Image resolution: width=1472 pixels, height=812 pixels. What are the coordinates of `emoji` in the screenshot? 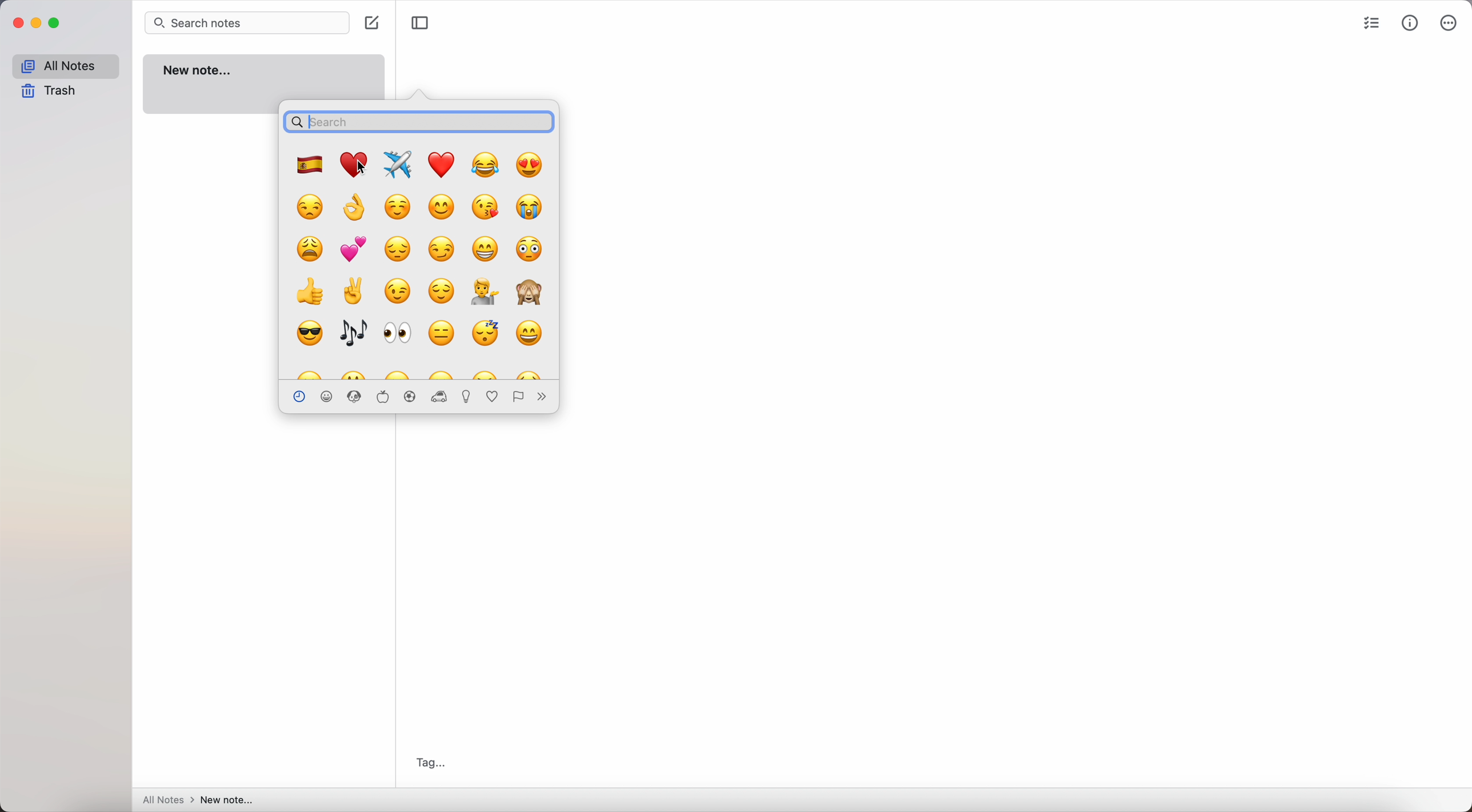 It's located at (307, 371).